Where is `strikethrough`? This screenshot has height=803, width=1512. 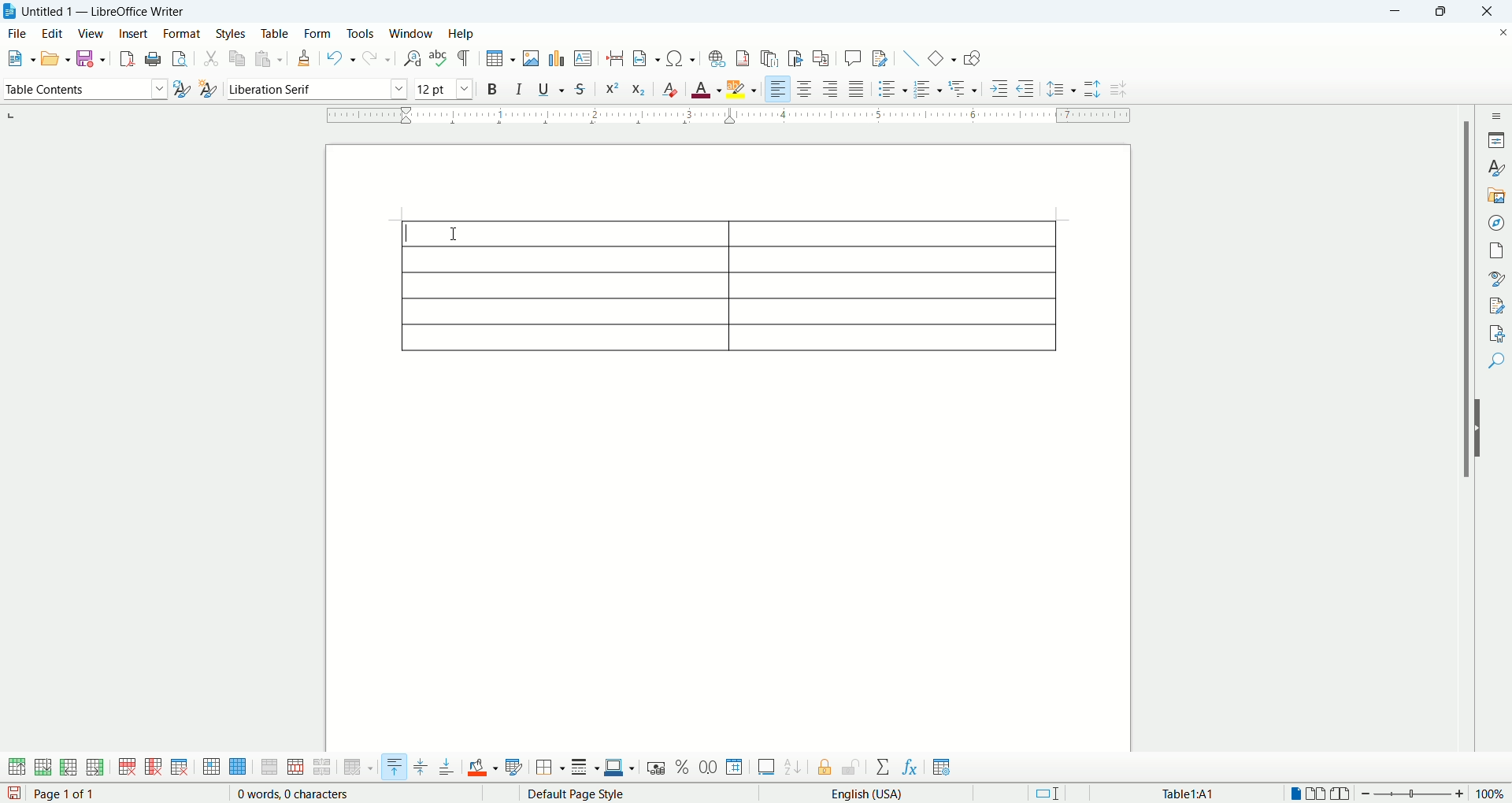 strikethrough is located at coordinates (580, 88).